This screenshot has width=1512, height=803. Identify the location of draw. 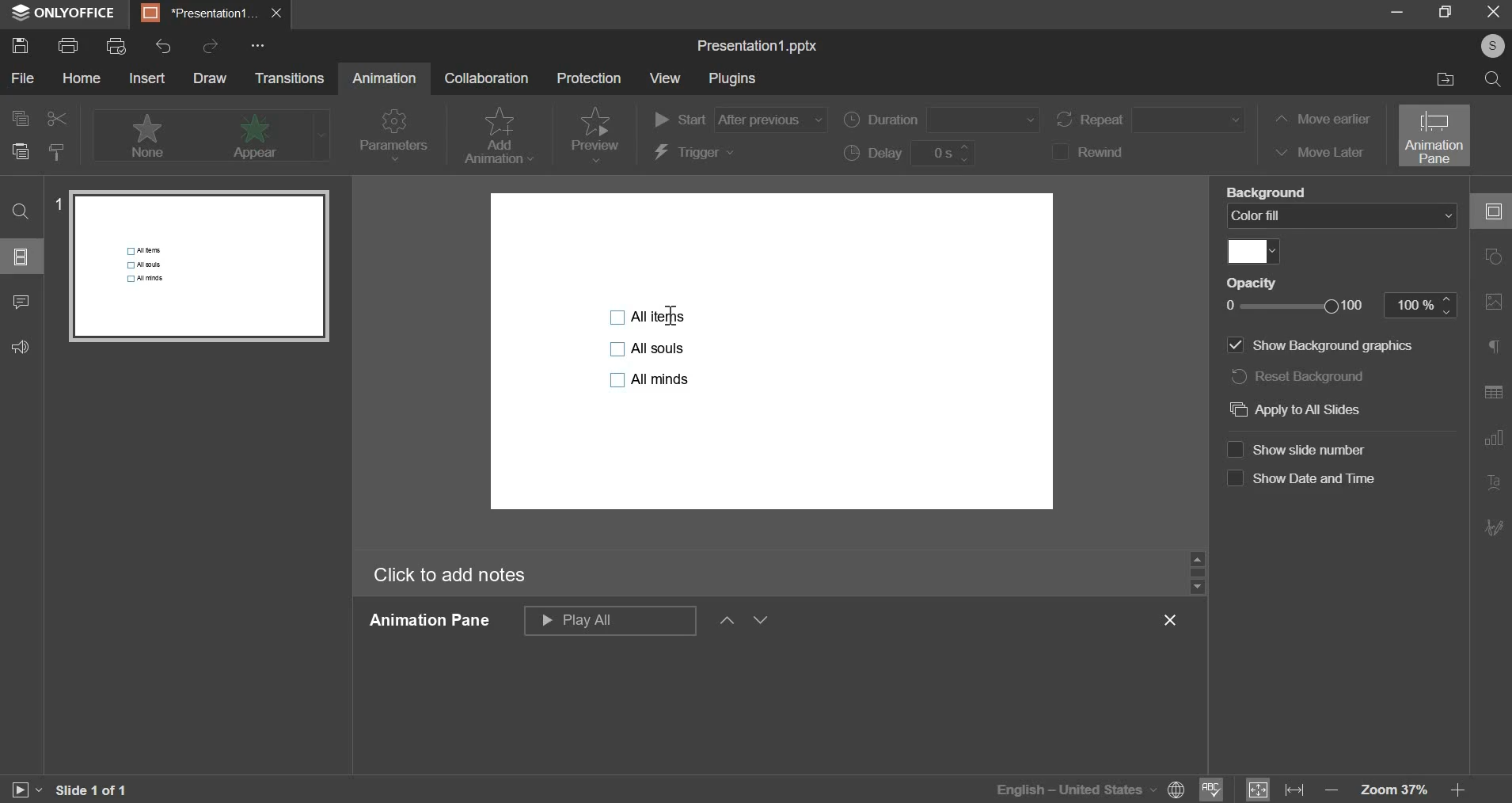
(210, 78).